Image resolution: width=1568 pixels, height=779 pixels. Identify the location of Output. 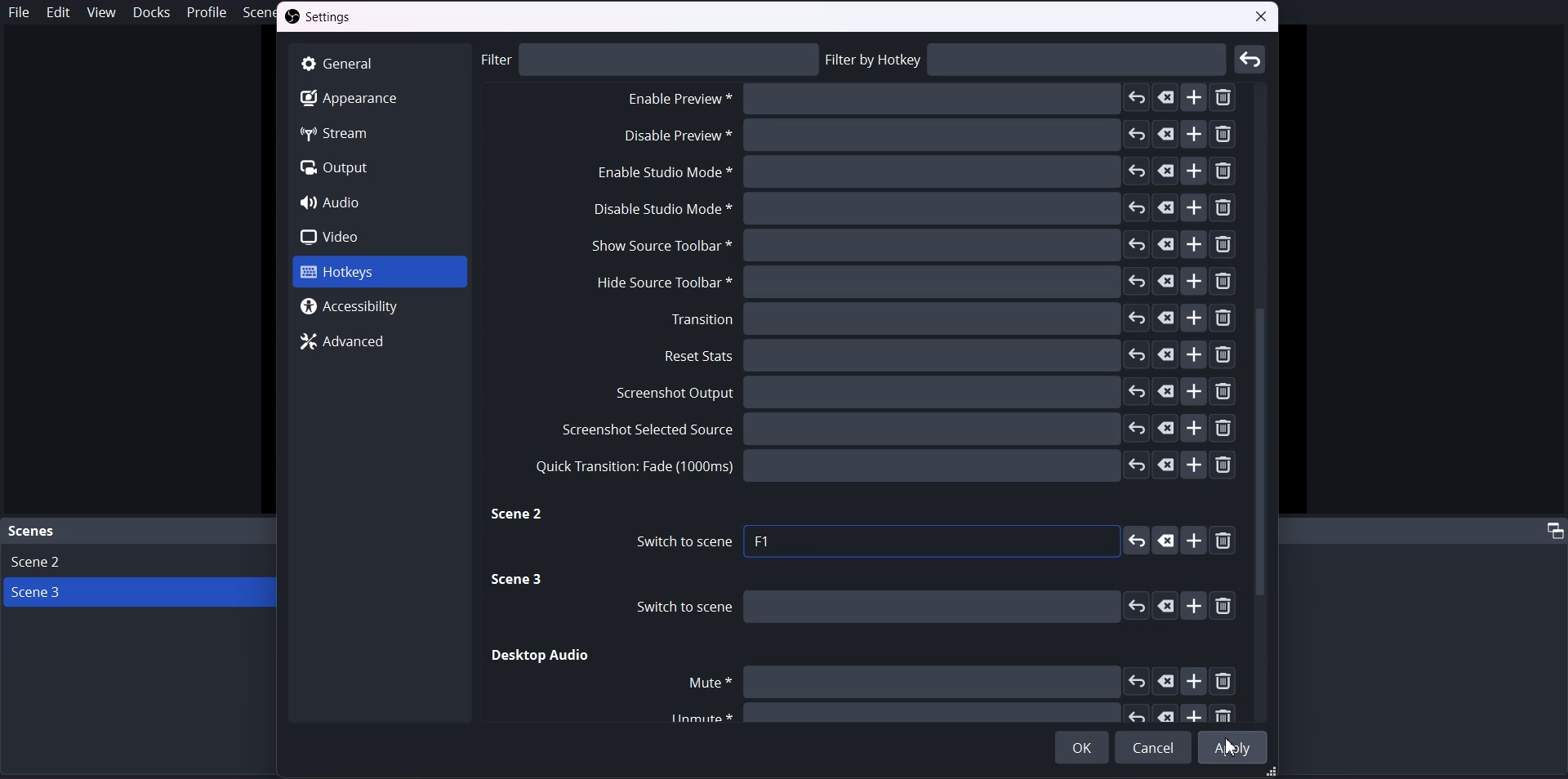
(379, 168).